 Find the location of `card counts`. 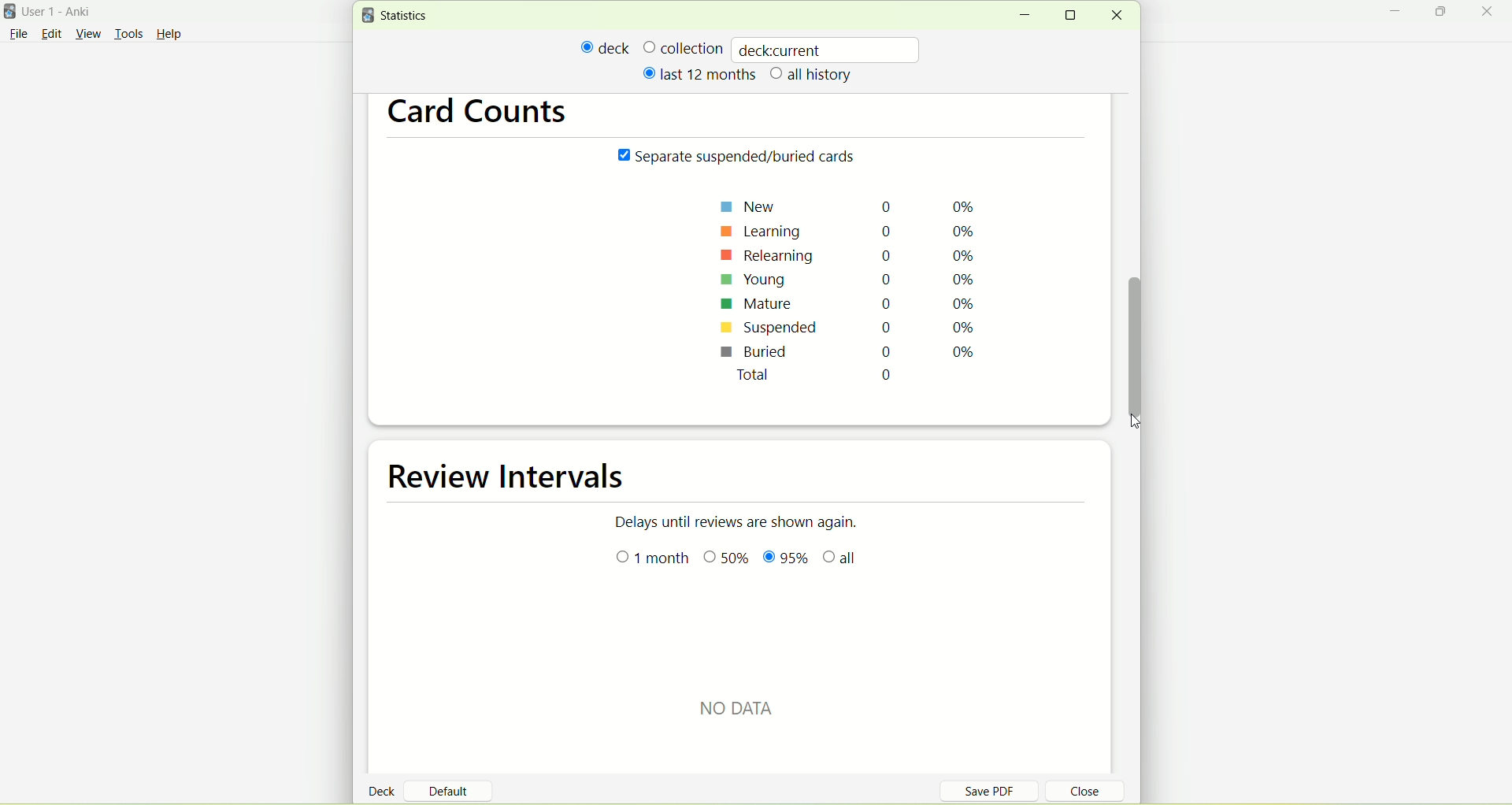

card counts is located at coordinates (486, 115).